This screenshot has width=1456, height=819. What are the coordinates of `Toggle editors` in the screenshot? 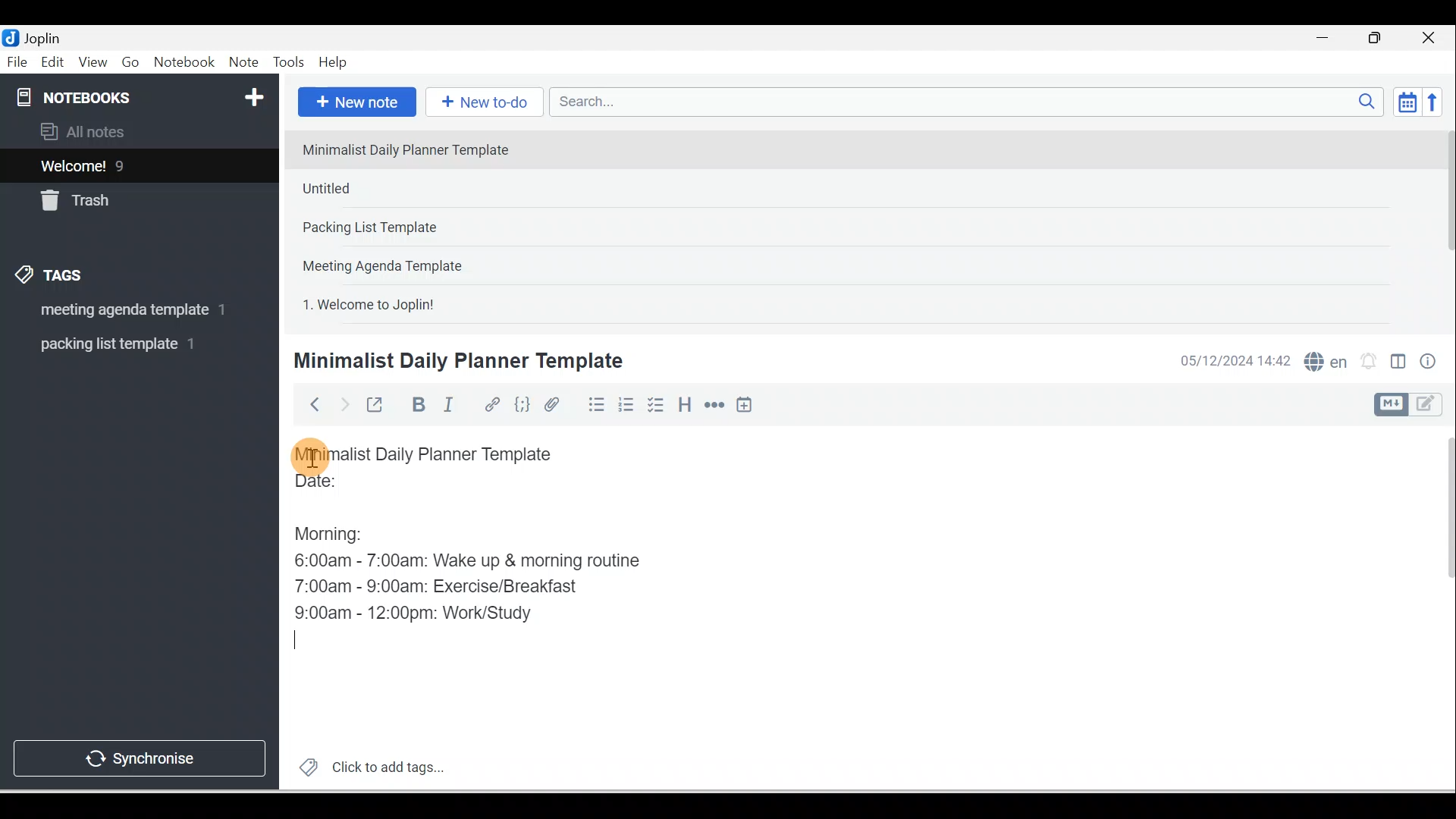 It's located at (1398, 364).